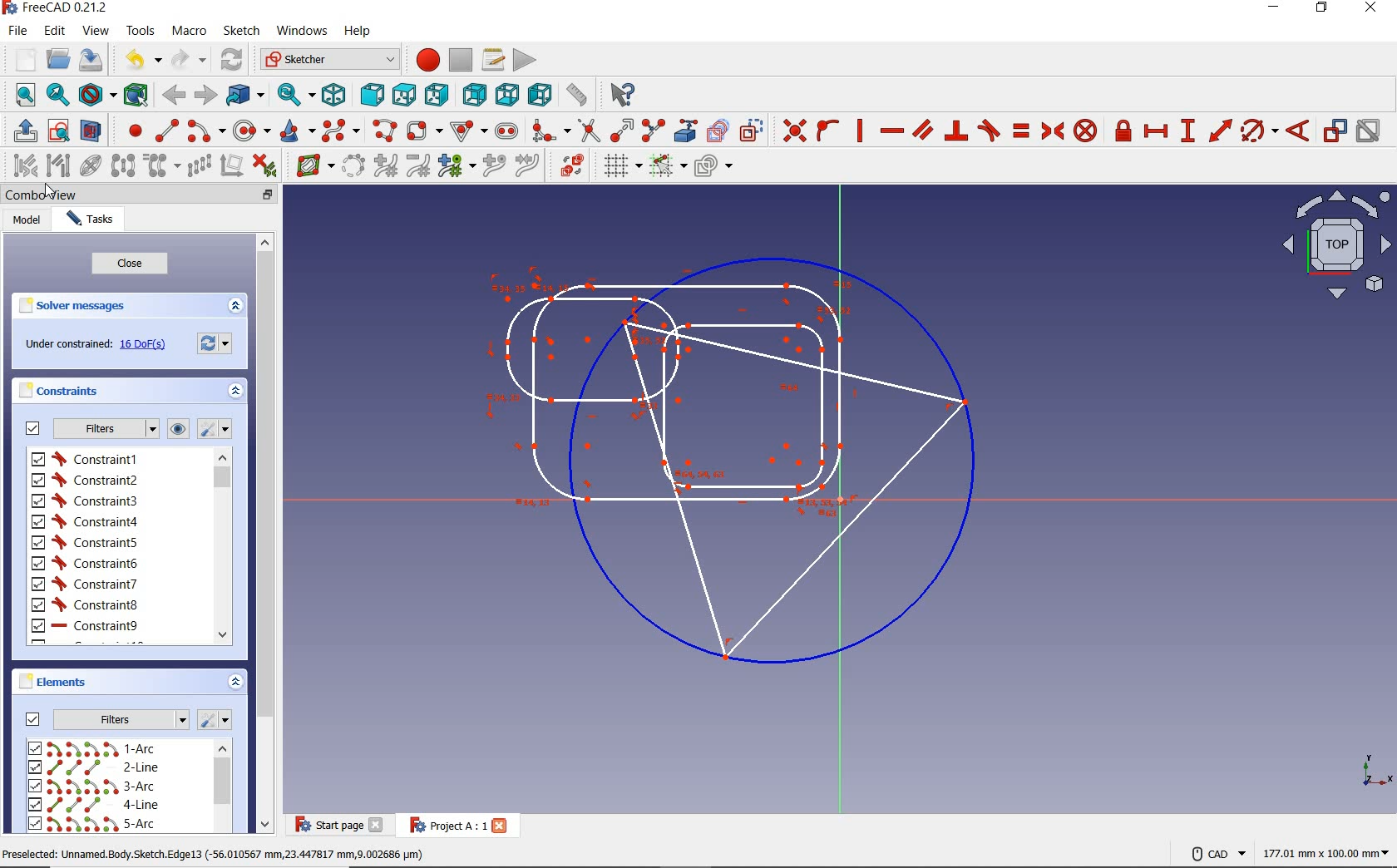  What do you see at coordinates (861, 131) in the screenshot?
I see `constrain vertically` at bounding box center [861, 131].